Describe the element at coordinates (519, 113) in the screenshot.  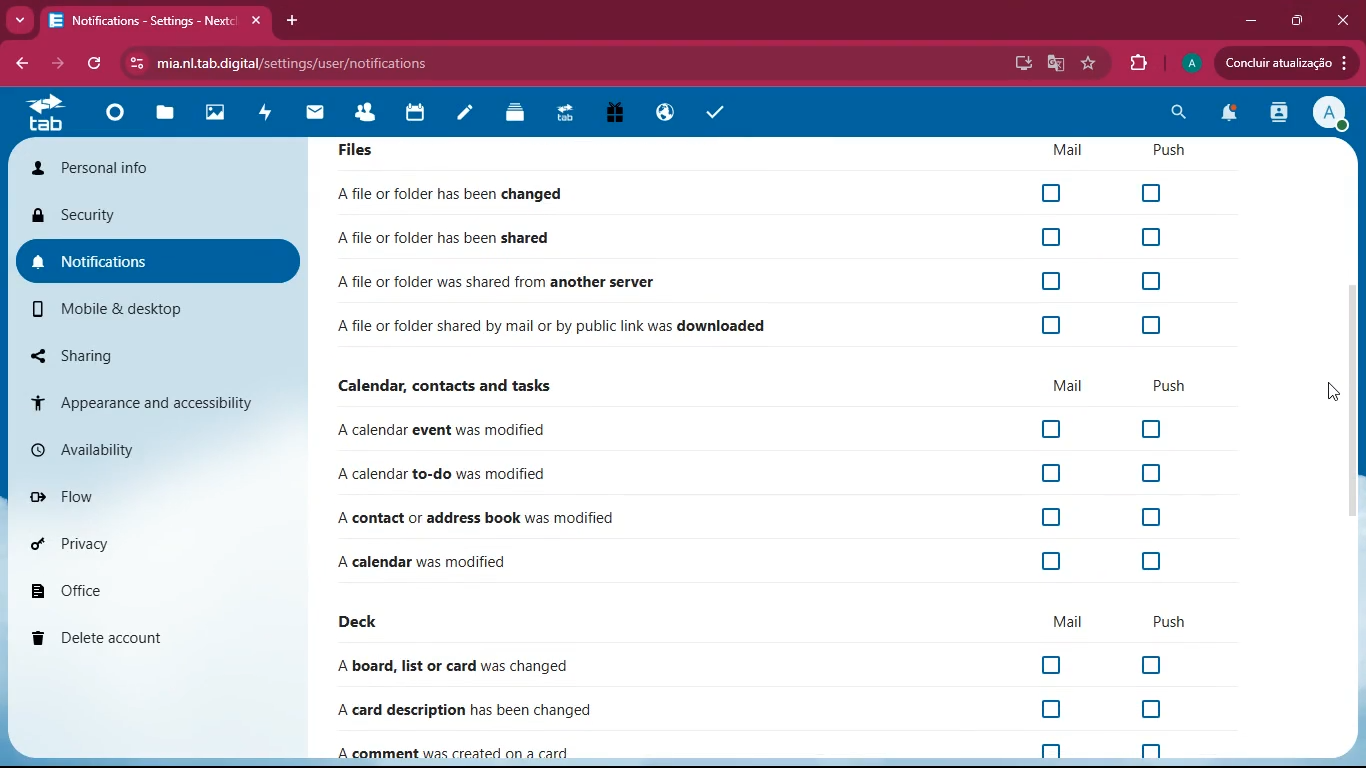
I see `layers` at that location.